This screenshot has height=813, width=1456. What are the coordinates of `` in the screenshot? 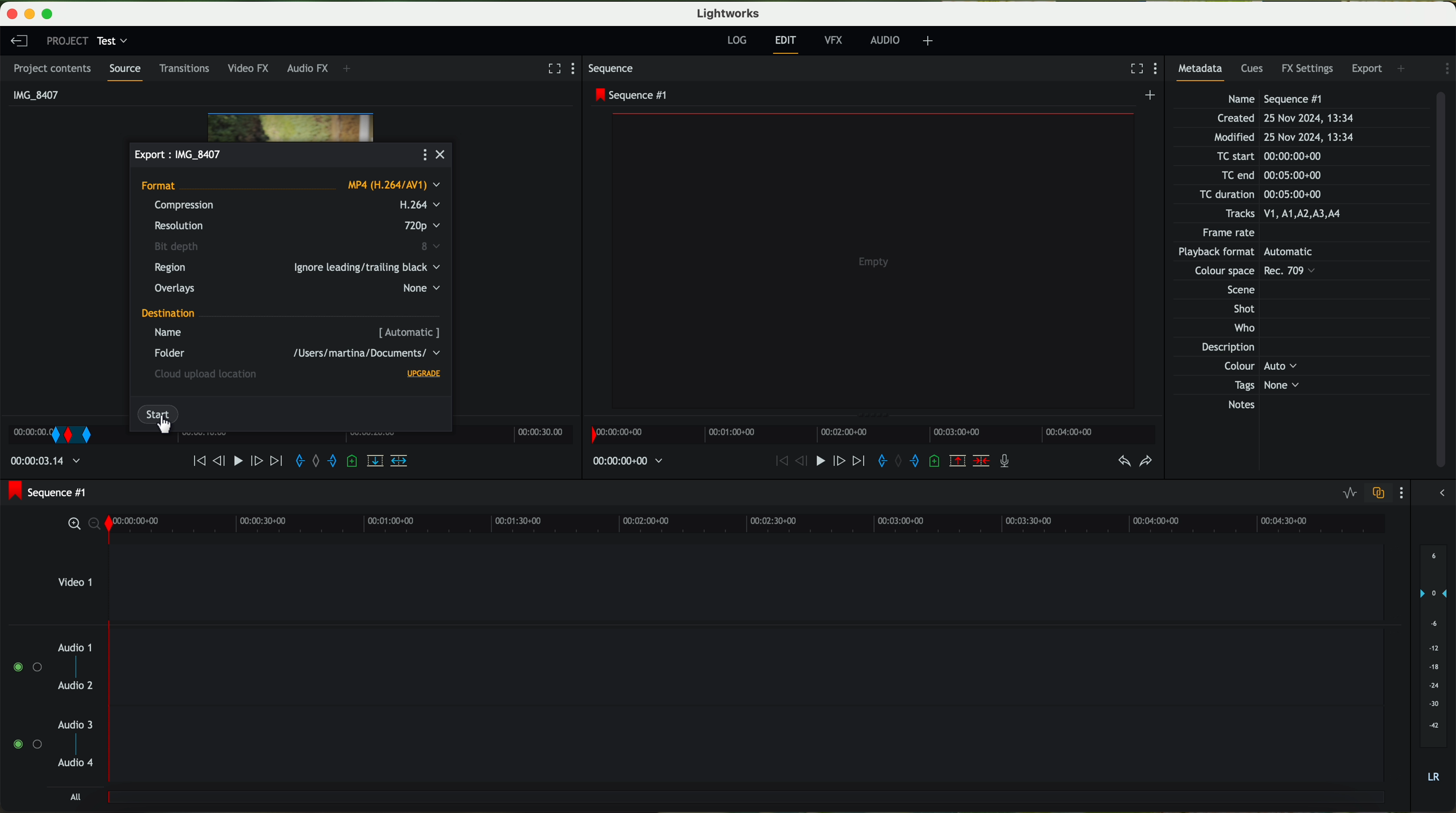 It's located at (1236, 288).